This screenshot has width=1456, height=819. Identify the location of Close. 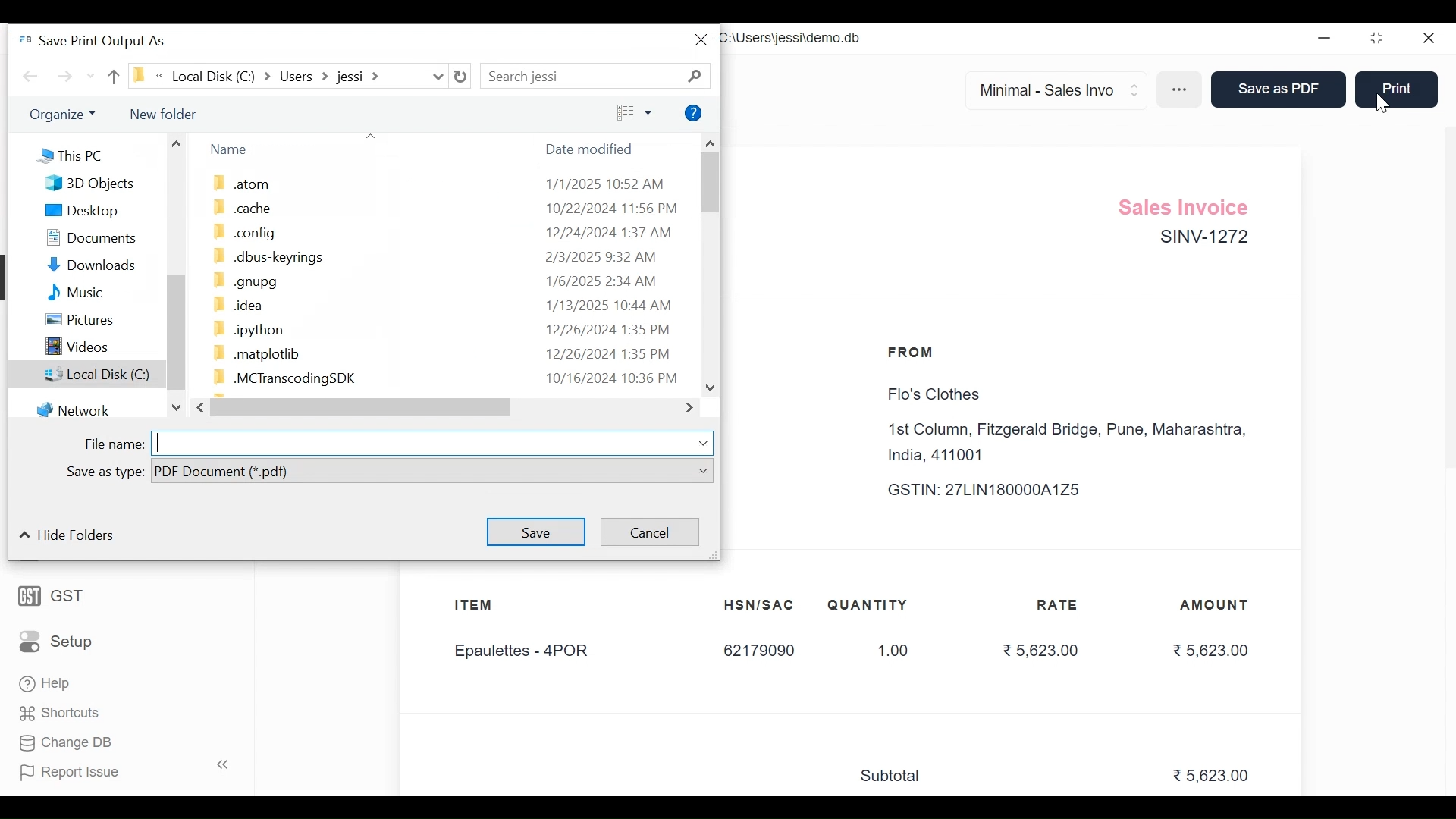
(1429, 39).